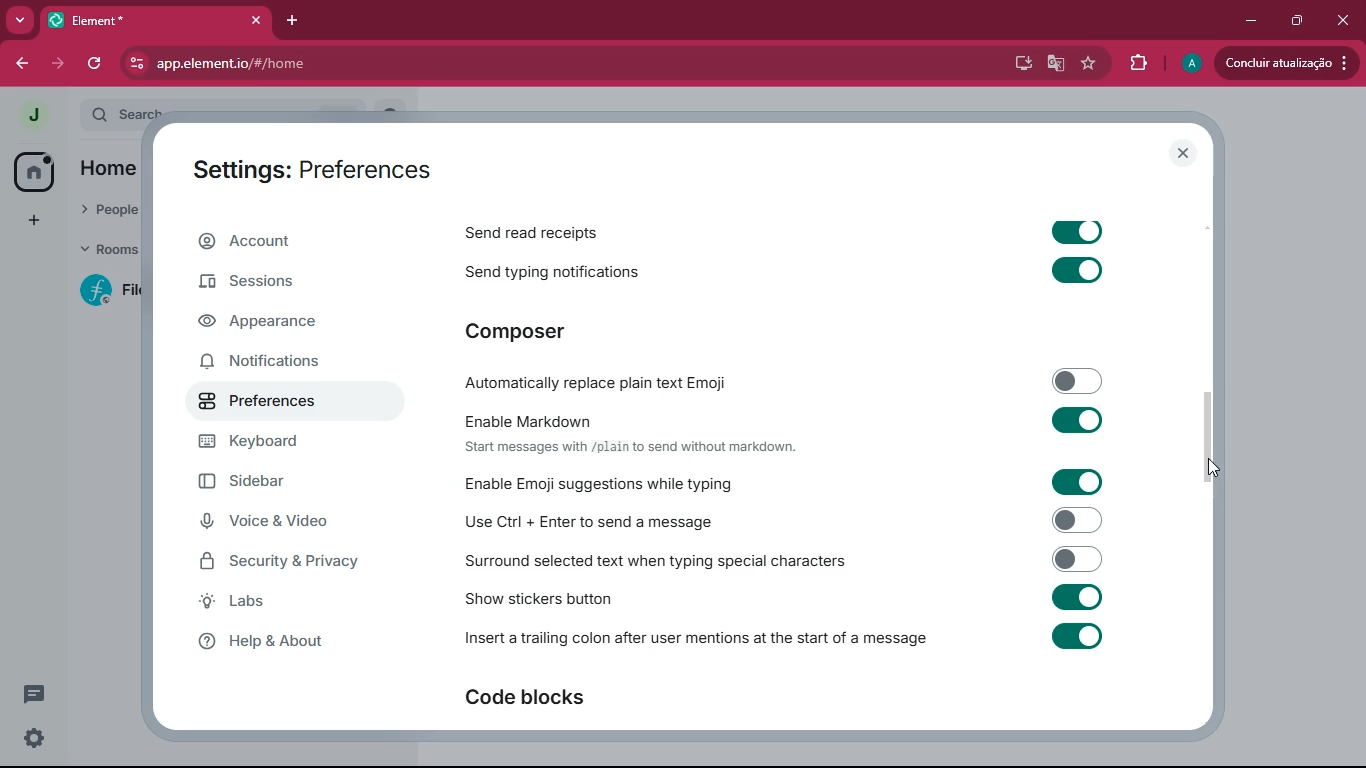  What do you see at coordinates (19, 18) in the screenshot?
I see `more` at bounding box center [19, 18].